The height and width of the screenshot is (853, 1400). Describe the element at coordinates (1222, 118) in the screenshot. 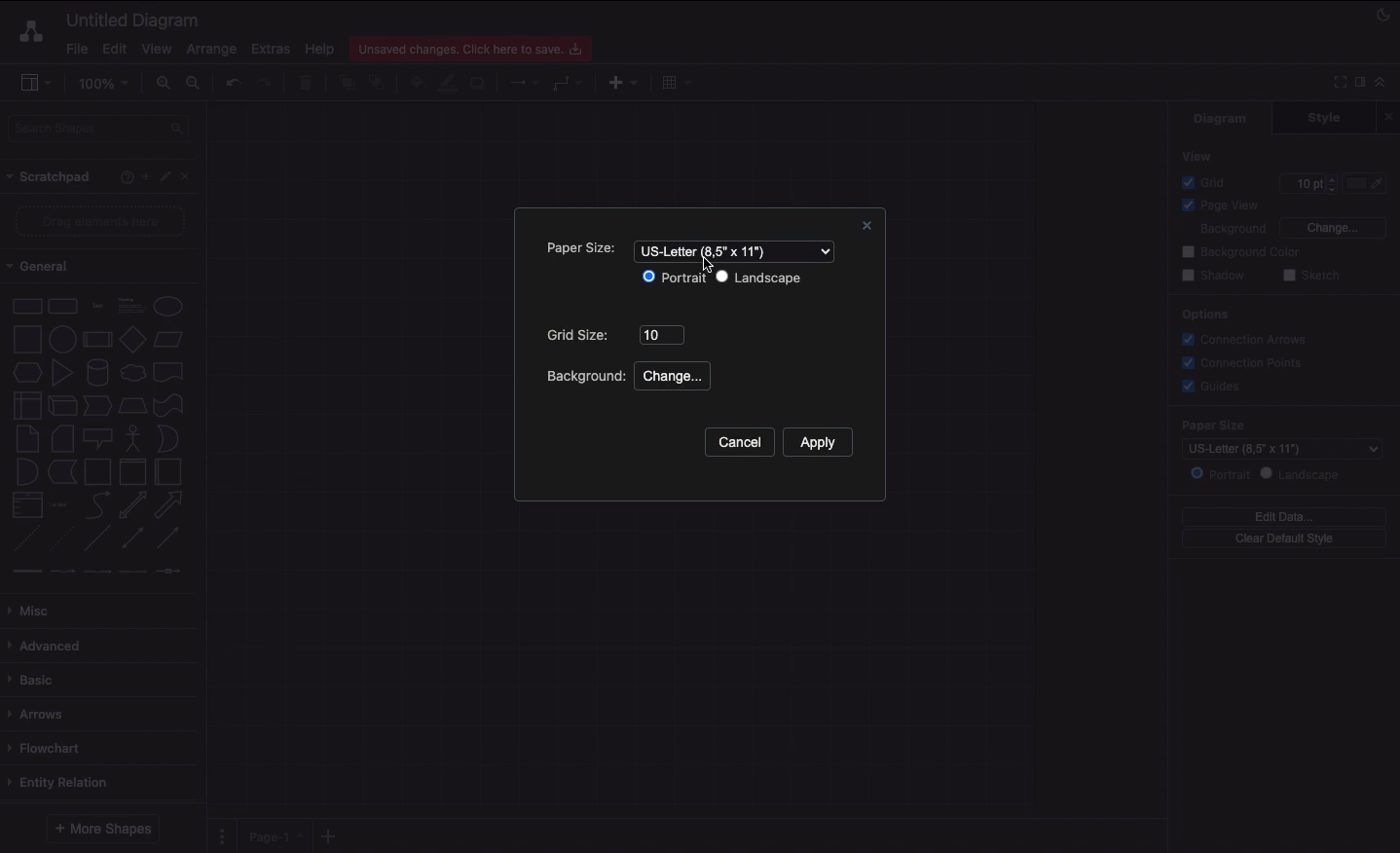

I see `Diagram` at that location.